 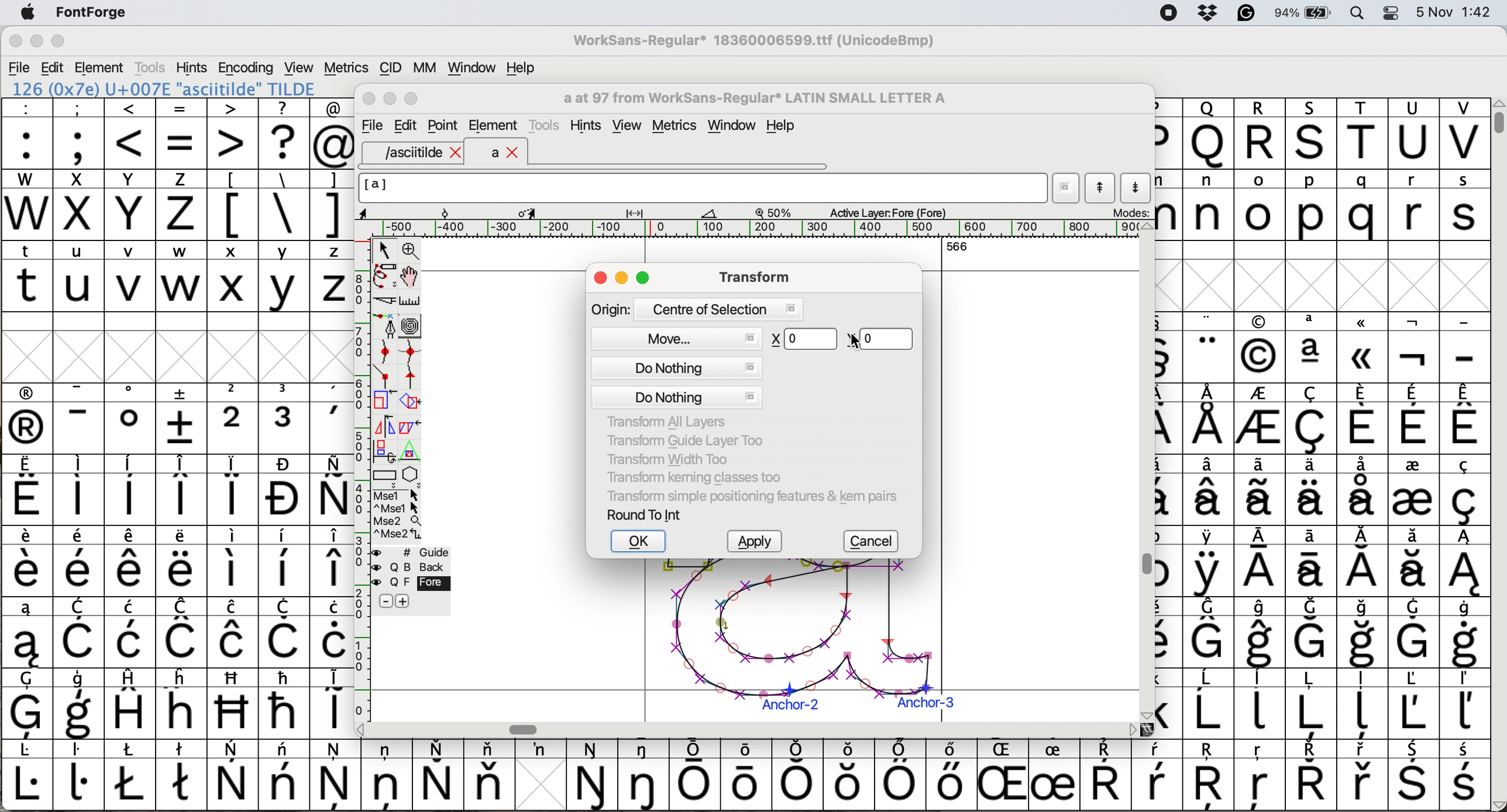 What do you see at coordinates (183, 773) in the screenshot?
I see `symbol` at bounding box center [183, 773].